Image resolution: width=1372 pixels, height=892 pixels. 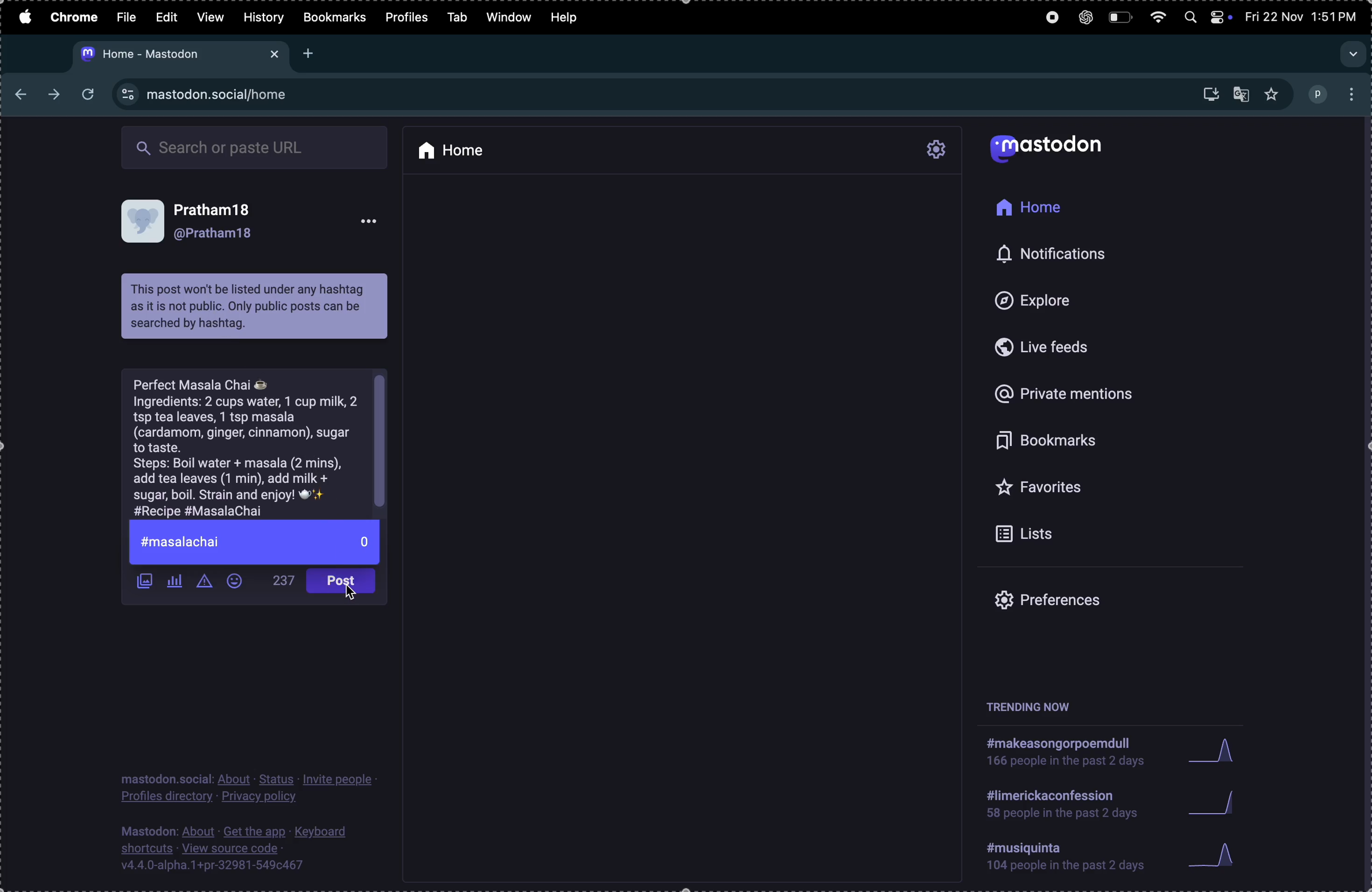 I want to click on battery, so click(x=1118, y=16).